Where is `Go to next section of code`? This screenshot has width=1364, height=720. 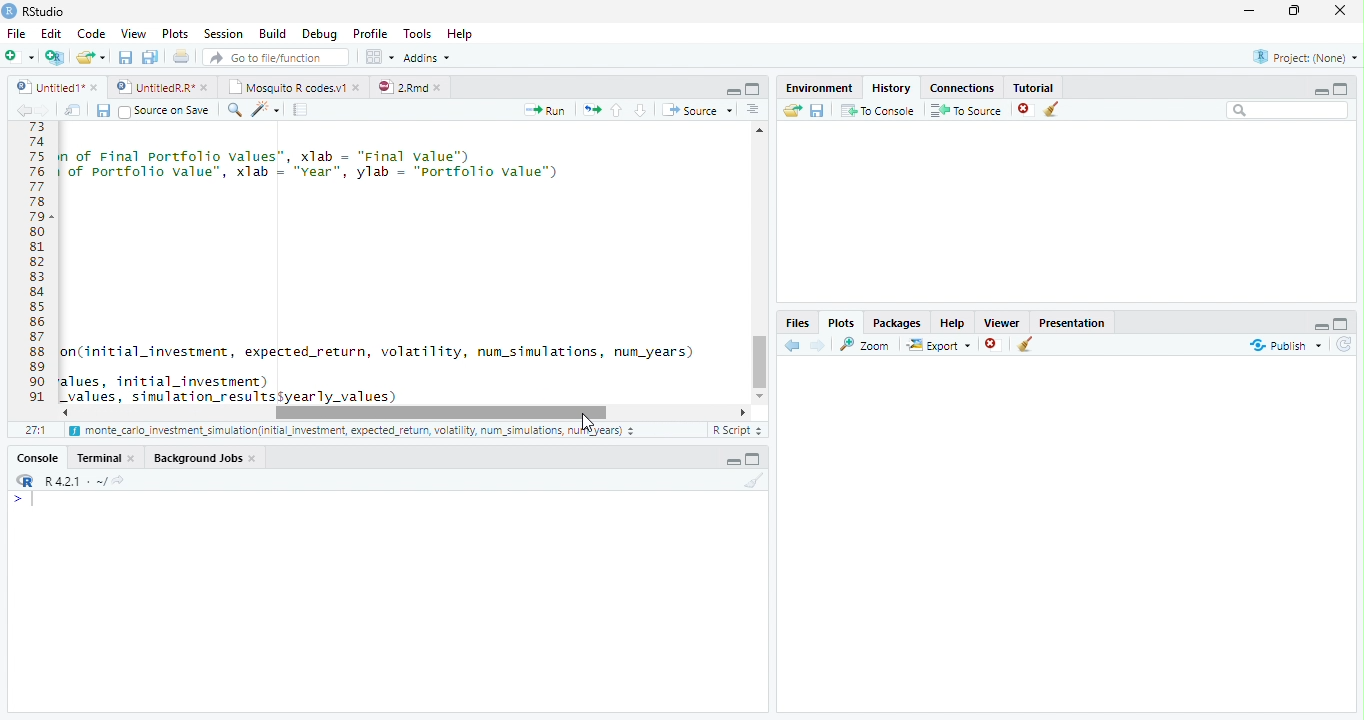
Go to next section of code is located at coordinates (642, 111).